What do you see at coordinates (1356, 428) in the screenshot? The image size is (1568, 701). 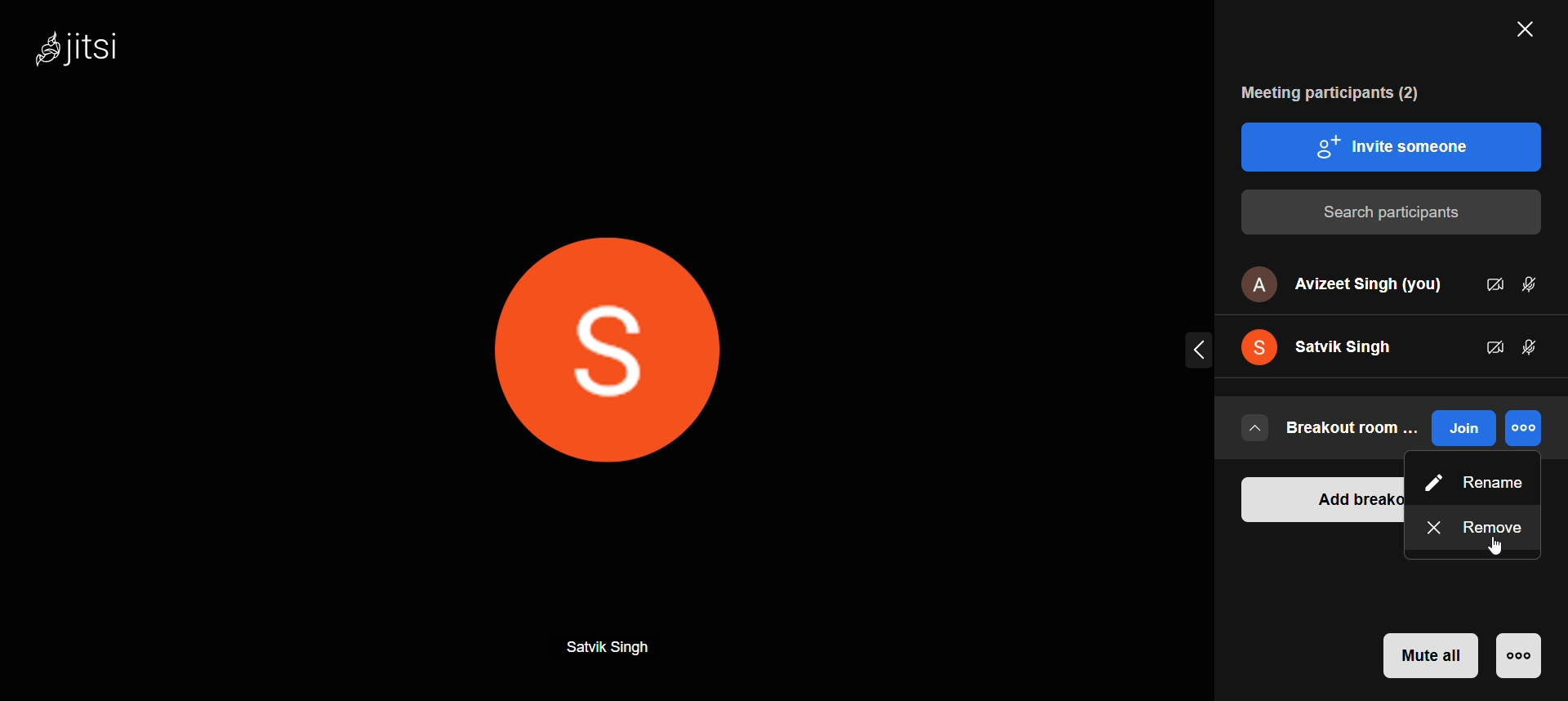 I see `breakout room` at bounding box center [1356, 428].